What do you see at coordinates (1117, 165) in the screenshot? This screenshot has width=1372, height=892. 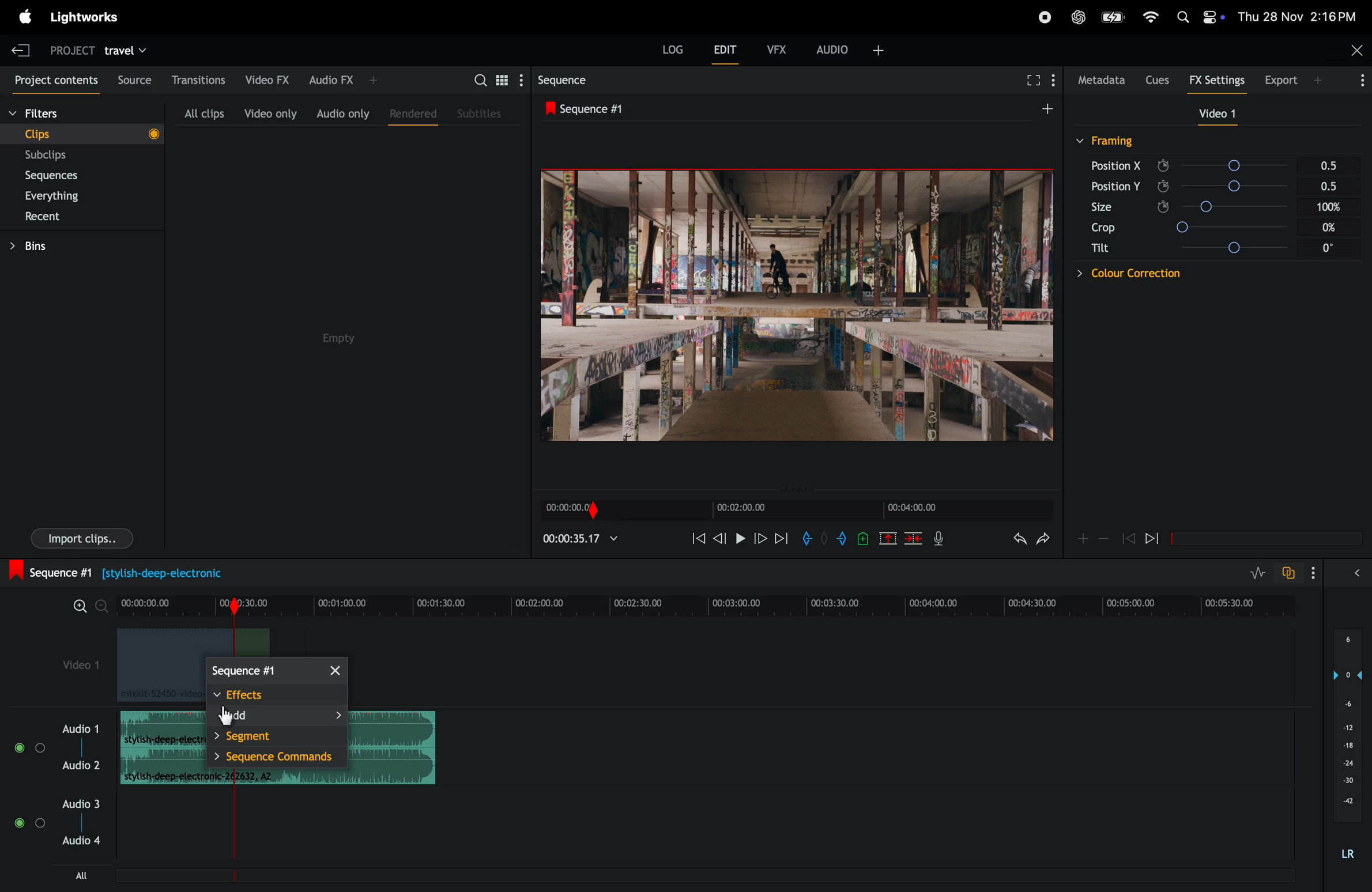 I see `position X` at bounding box center [1117, 165].